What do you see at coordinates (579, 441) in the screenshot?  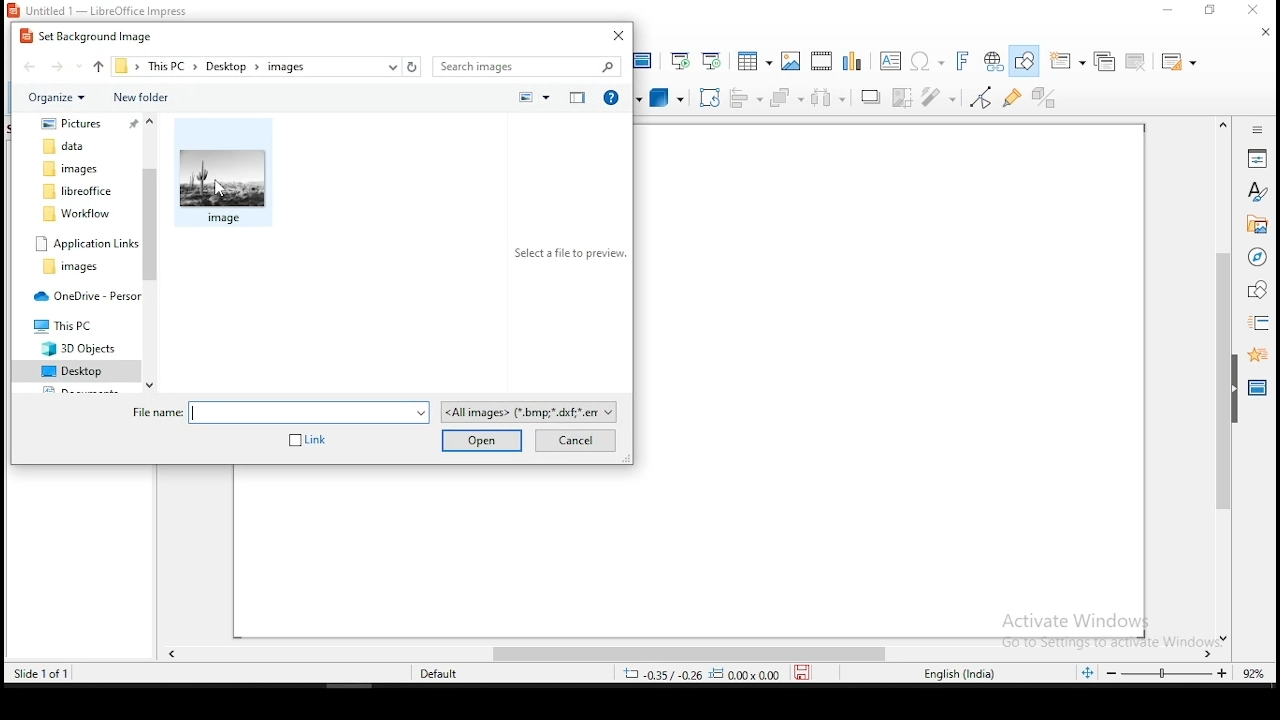 I see `cancel` at bounding box center [579, 441].